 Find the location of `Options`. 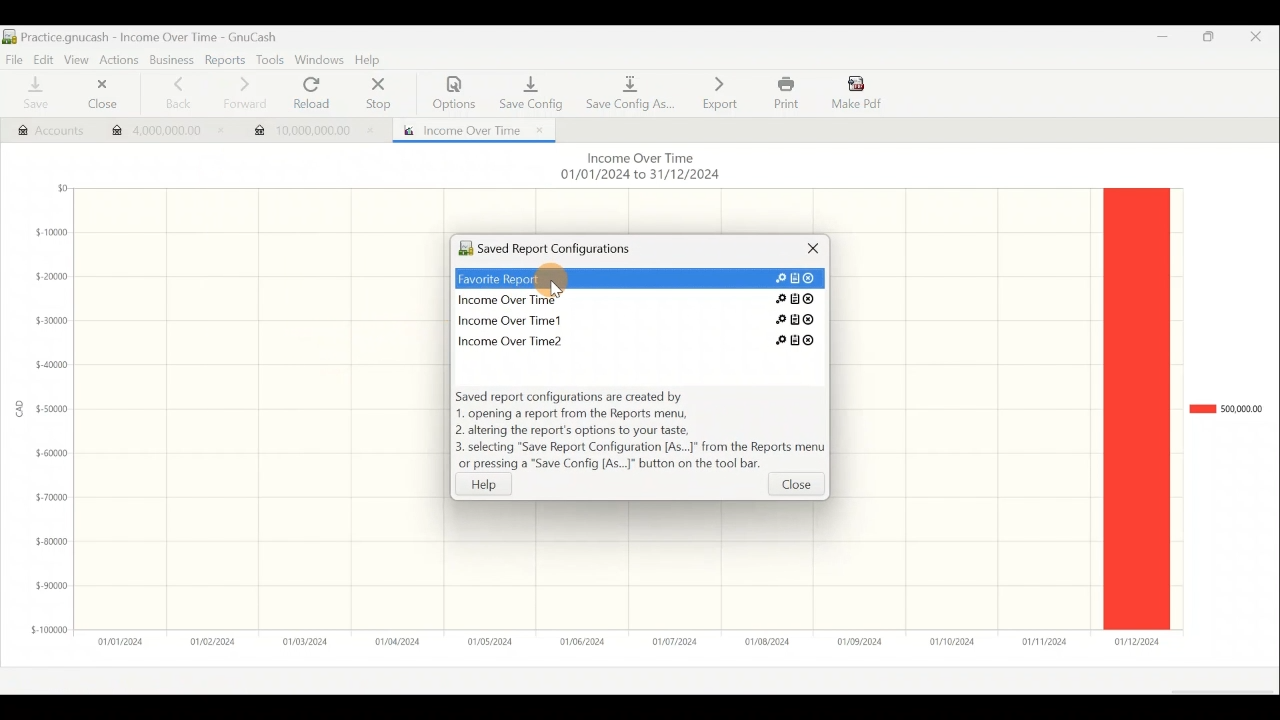

Options is located at coordinates (455, 93).